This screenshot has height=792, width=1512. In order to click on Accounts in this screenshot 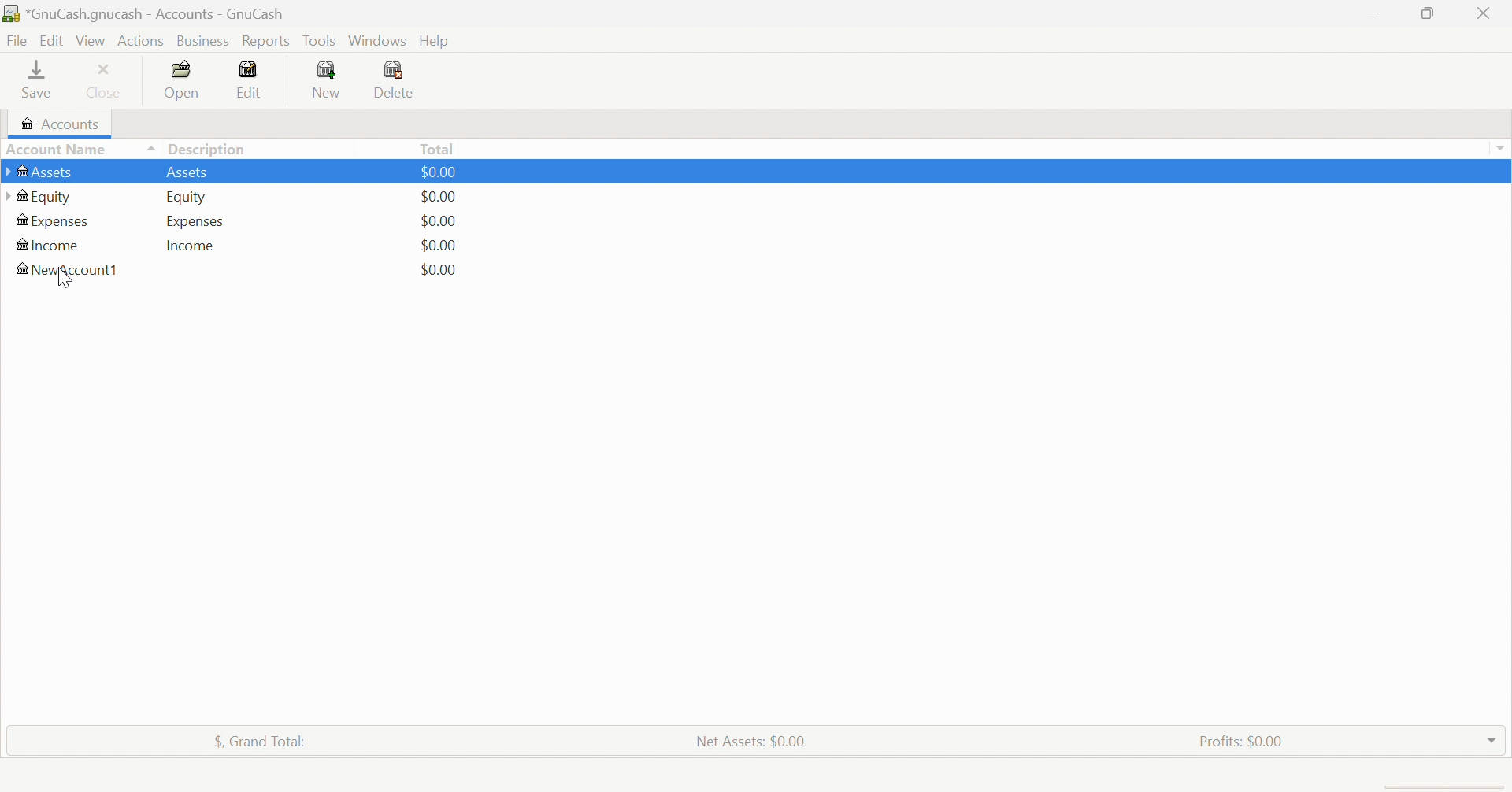, I will do `click(61, 122)`.